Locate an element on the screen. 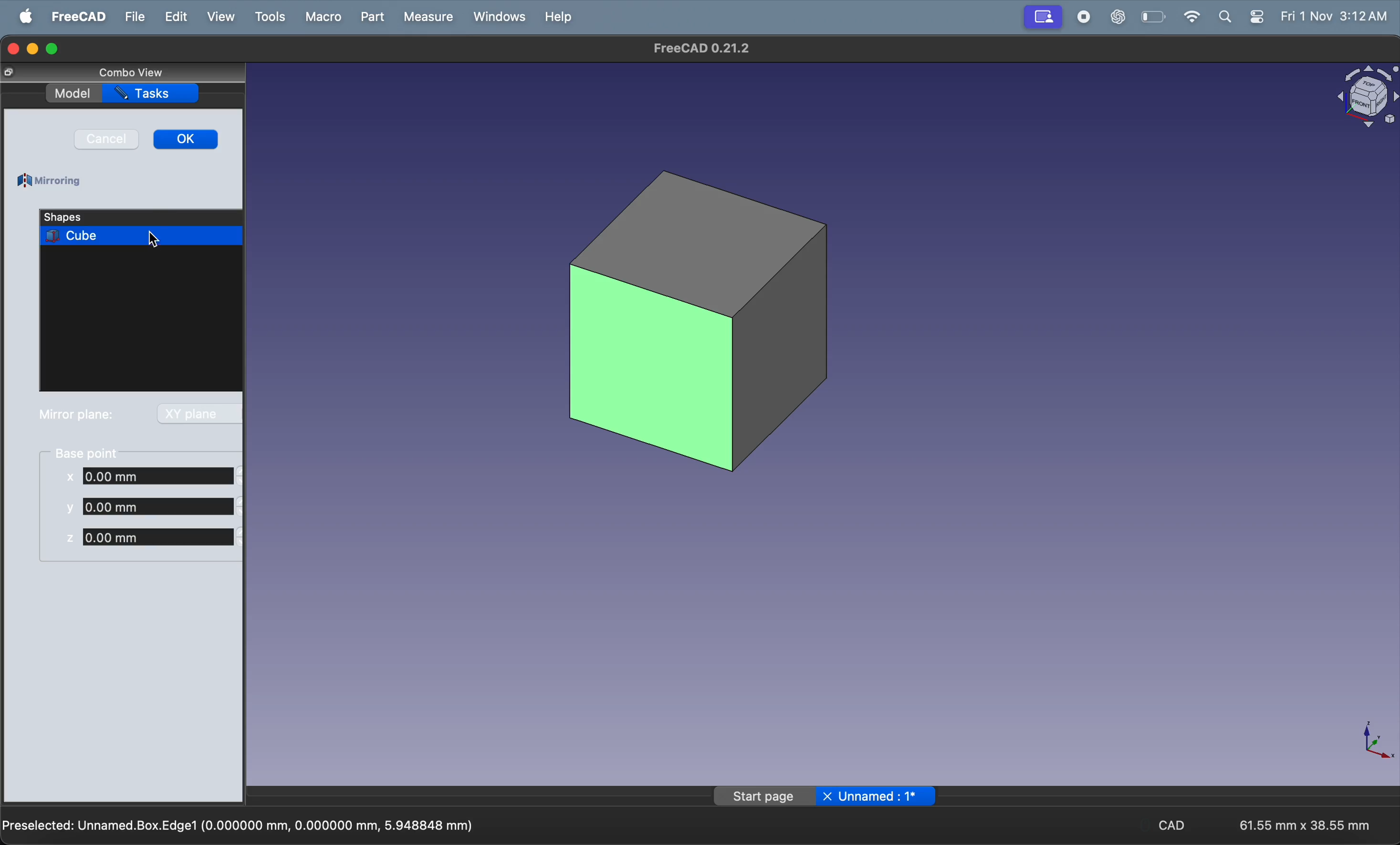  Preselected: Unnamed.Box.Edge1 (0.000000 mm, 0.000000 mm, 5.948848 mm) is located at coordinates (240, 824).